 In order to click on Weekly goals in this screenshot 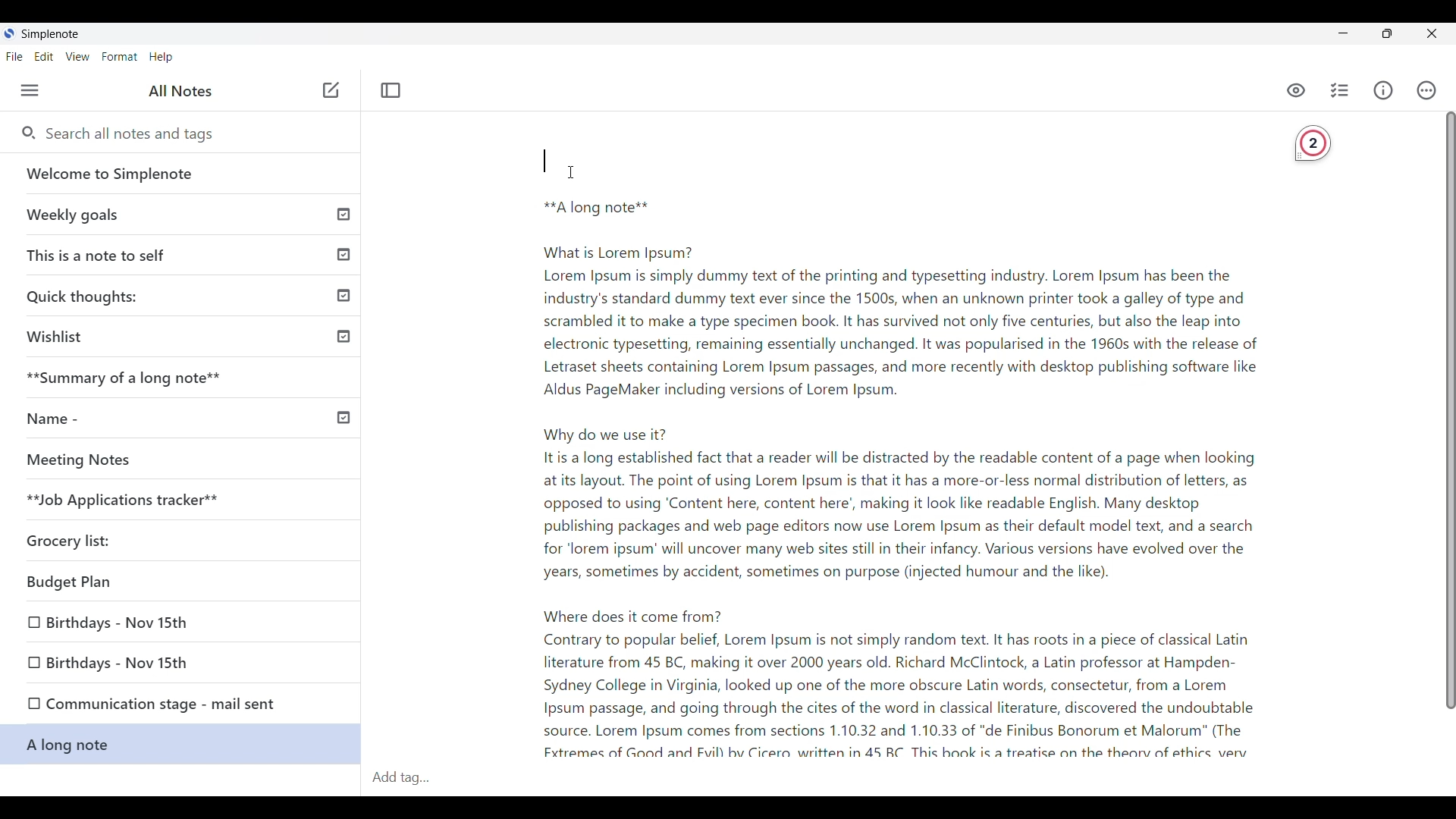, I will do `click(181, 214)`.